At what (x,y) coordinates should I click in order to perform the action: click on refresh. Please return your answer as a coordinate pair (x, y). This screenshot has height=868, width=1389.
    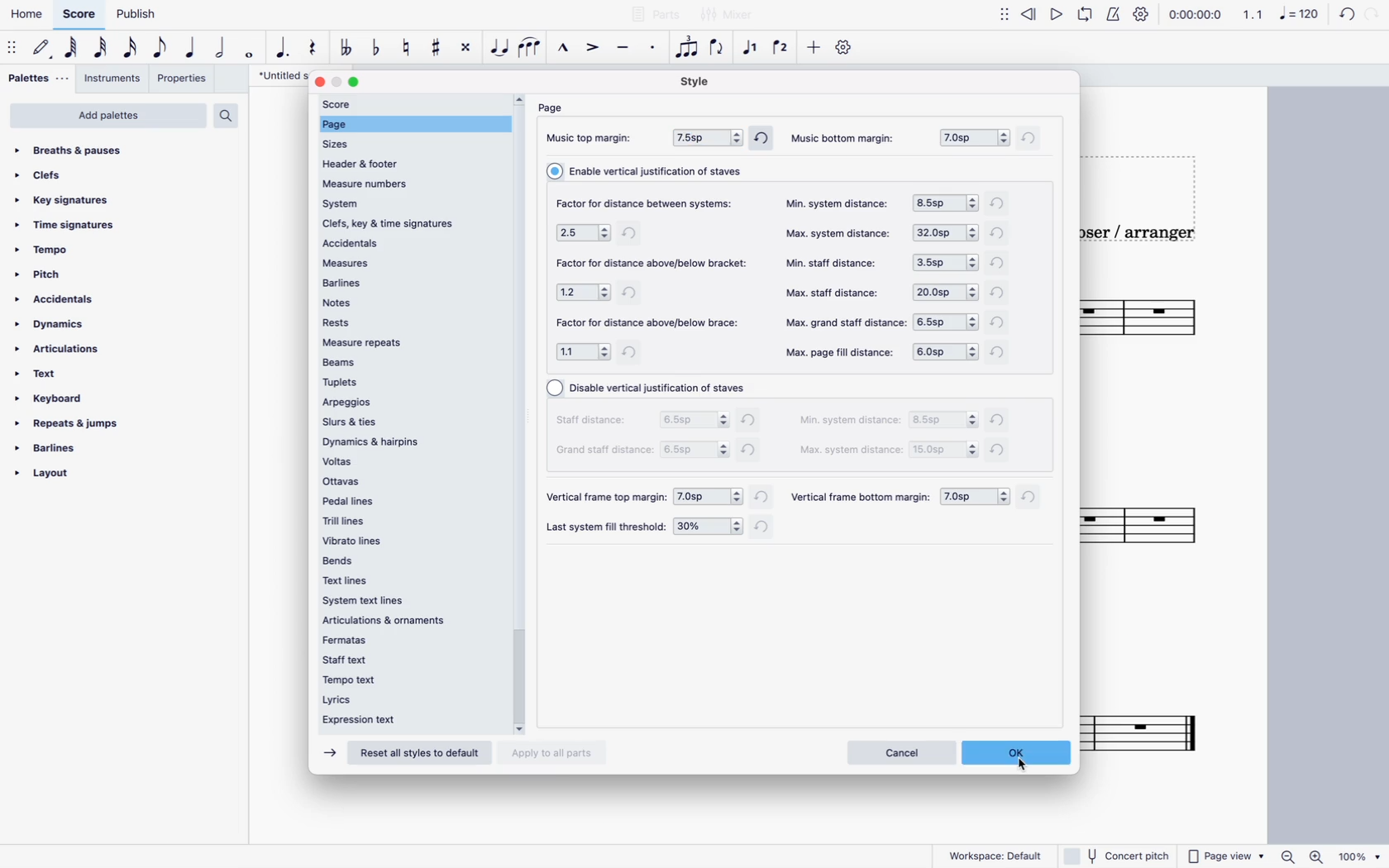
    Looking at the image, I should click on (767, 528).